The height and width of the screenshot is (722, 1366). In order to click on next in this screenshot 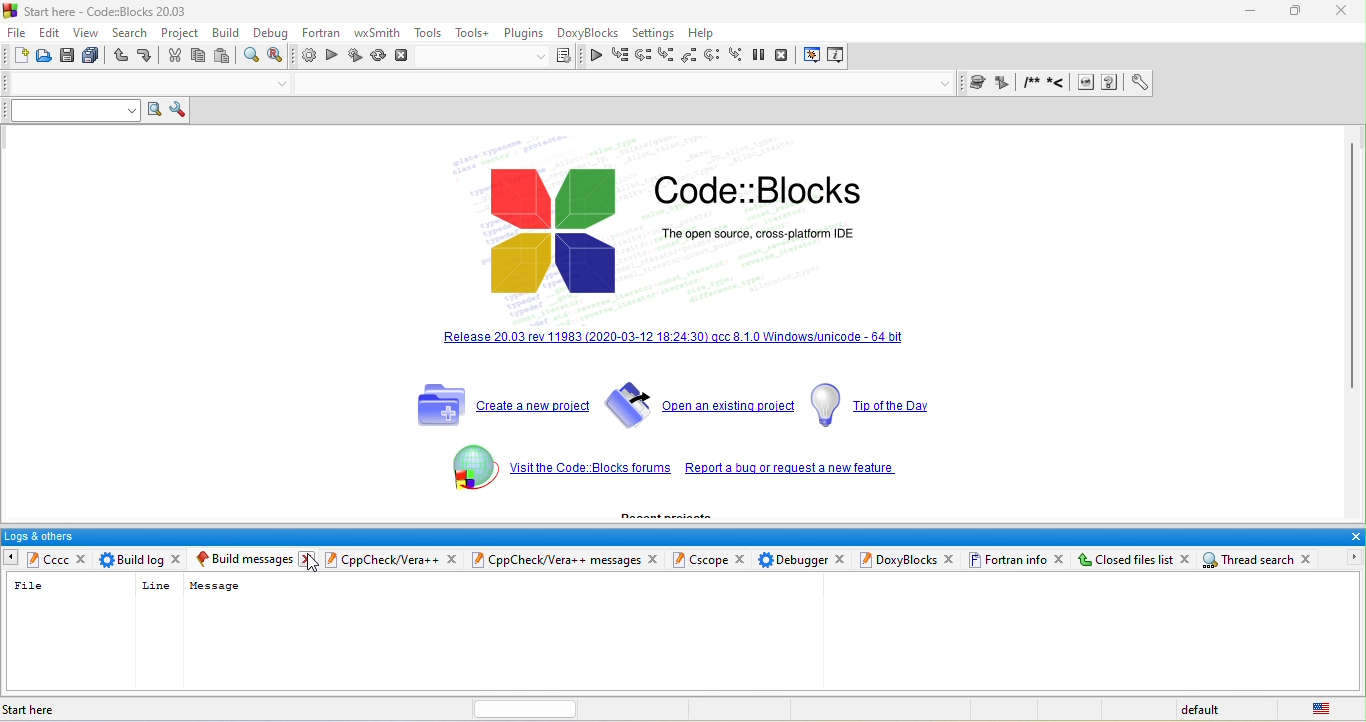, I will do `click(1348, 557)`.